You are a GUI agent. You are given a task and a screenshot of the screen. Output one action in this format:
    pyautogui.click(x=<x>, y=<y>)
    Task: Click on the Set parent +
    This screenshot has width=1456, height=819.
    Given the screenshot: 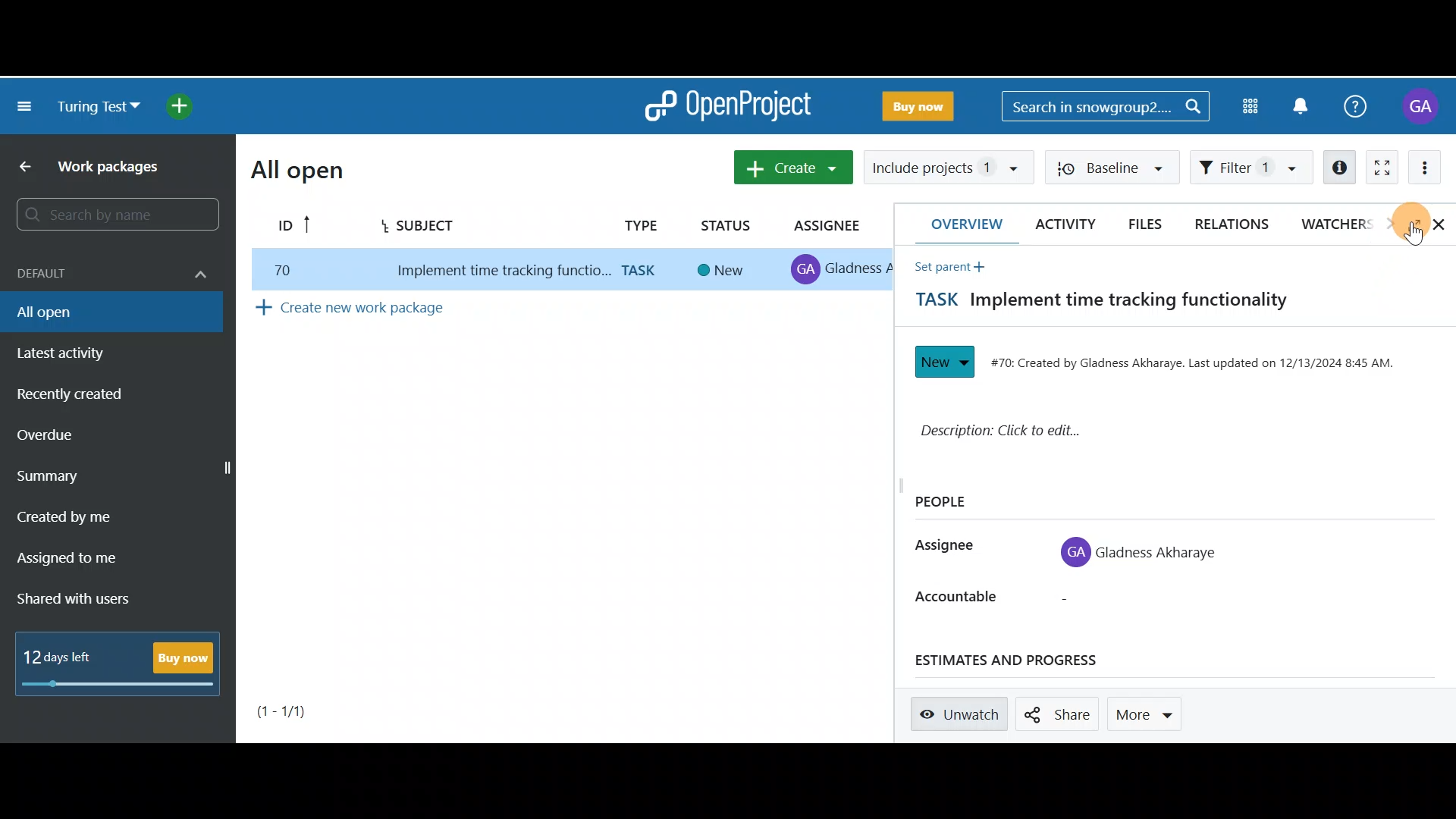 What is the action you would take?
    pyautogui.click(x=965, y=267)
    